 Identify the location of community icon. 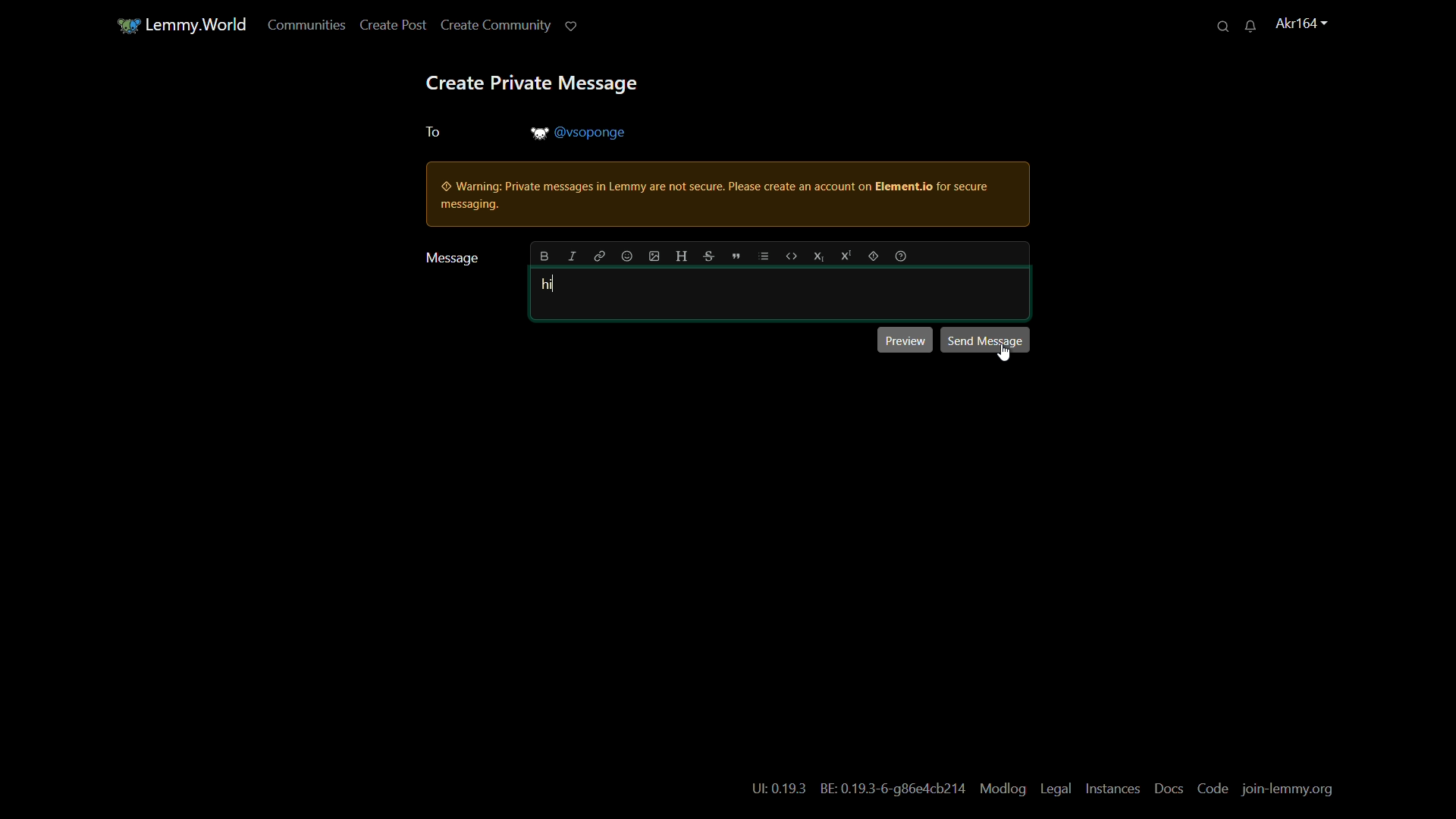
(118, 24).